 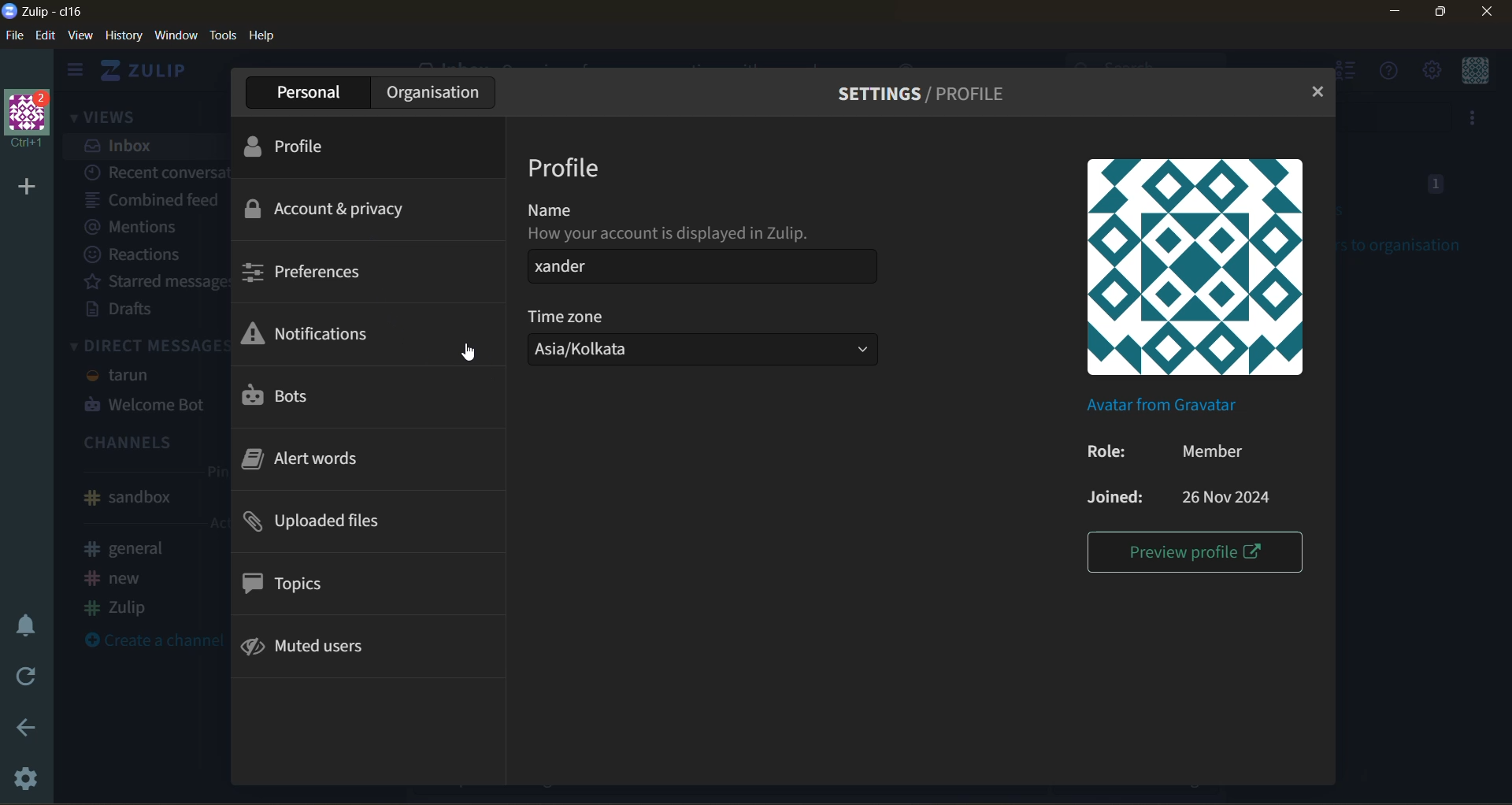 I want to click on edit, so click(x=46, y=36).